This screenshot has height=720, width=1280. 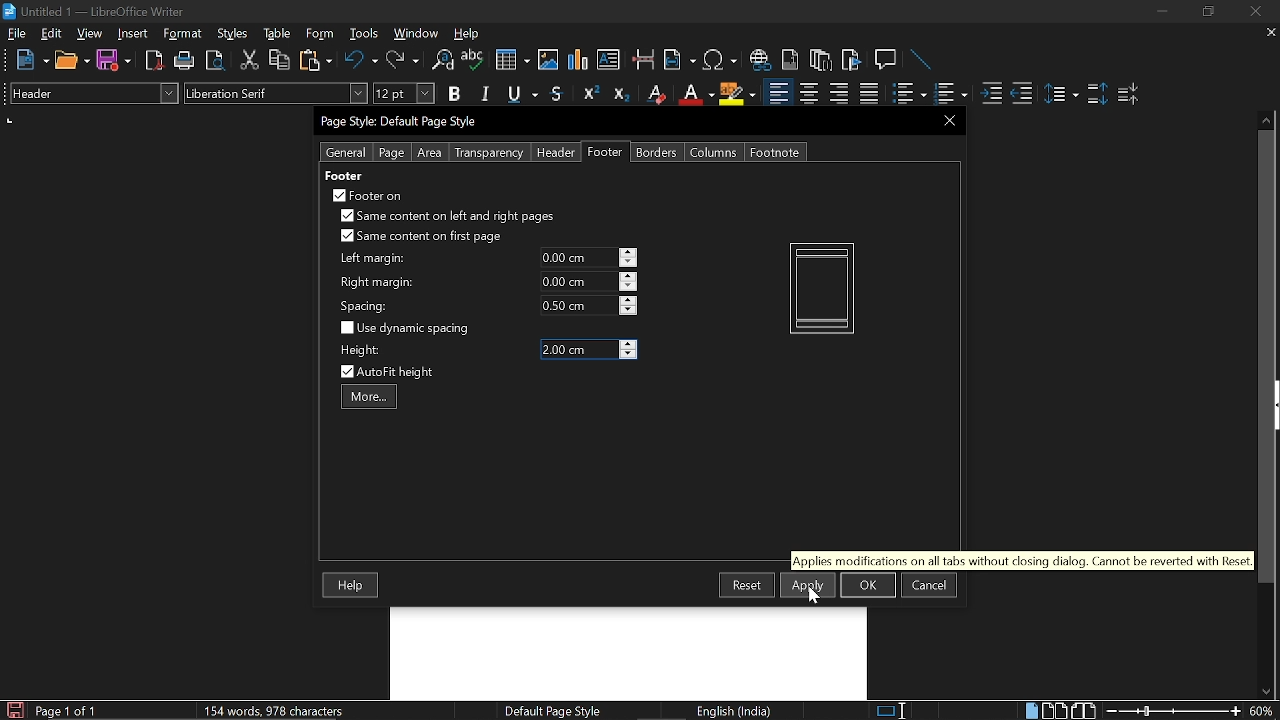 I want to click on table, so click(x=278, y=34).